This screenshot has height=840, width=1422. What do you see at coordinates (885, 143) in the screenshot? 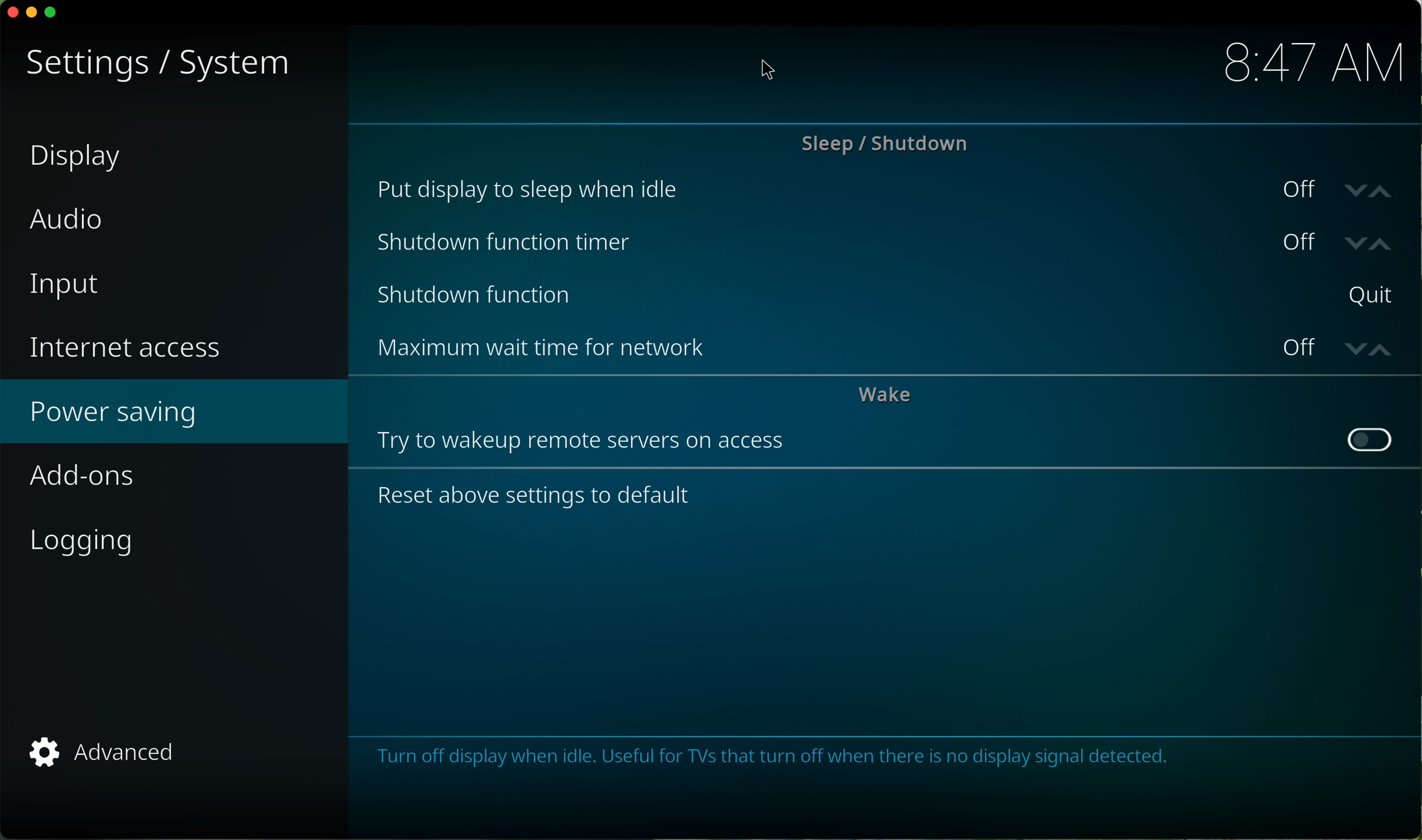
I see `sleep/shutdown` at bounding box center [885, 143].